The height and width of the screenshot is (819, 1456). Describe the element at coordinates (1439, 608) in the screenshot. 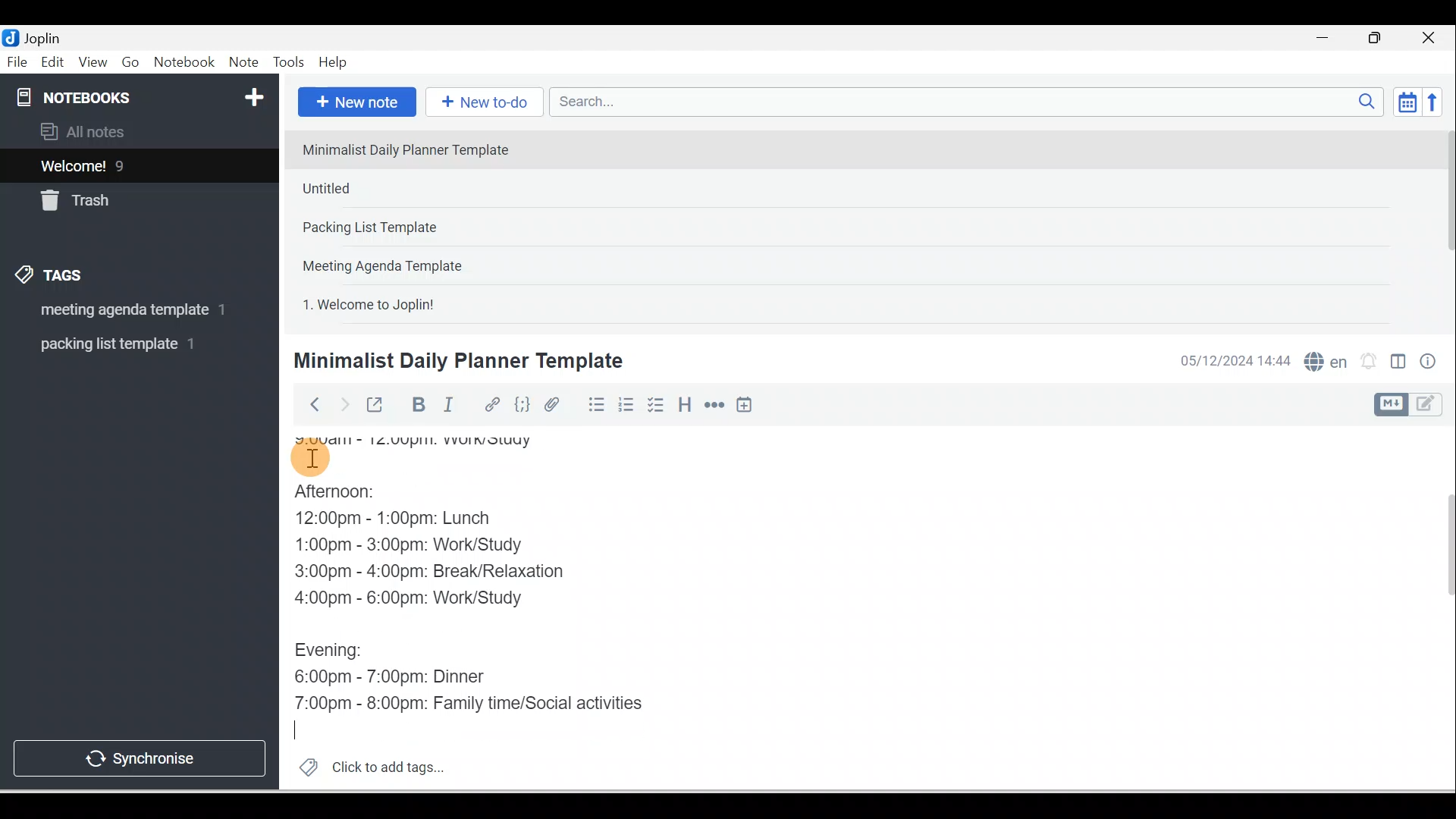

I see `Scroll bar` at that location.